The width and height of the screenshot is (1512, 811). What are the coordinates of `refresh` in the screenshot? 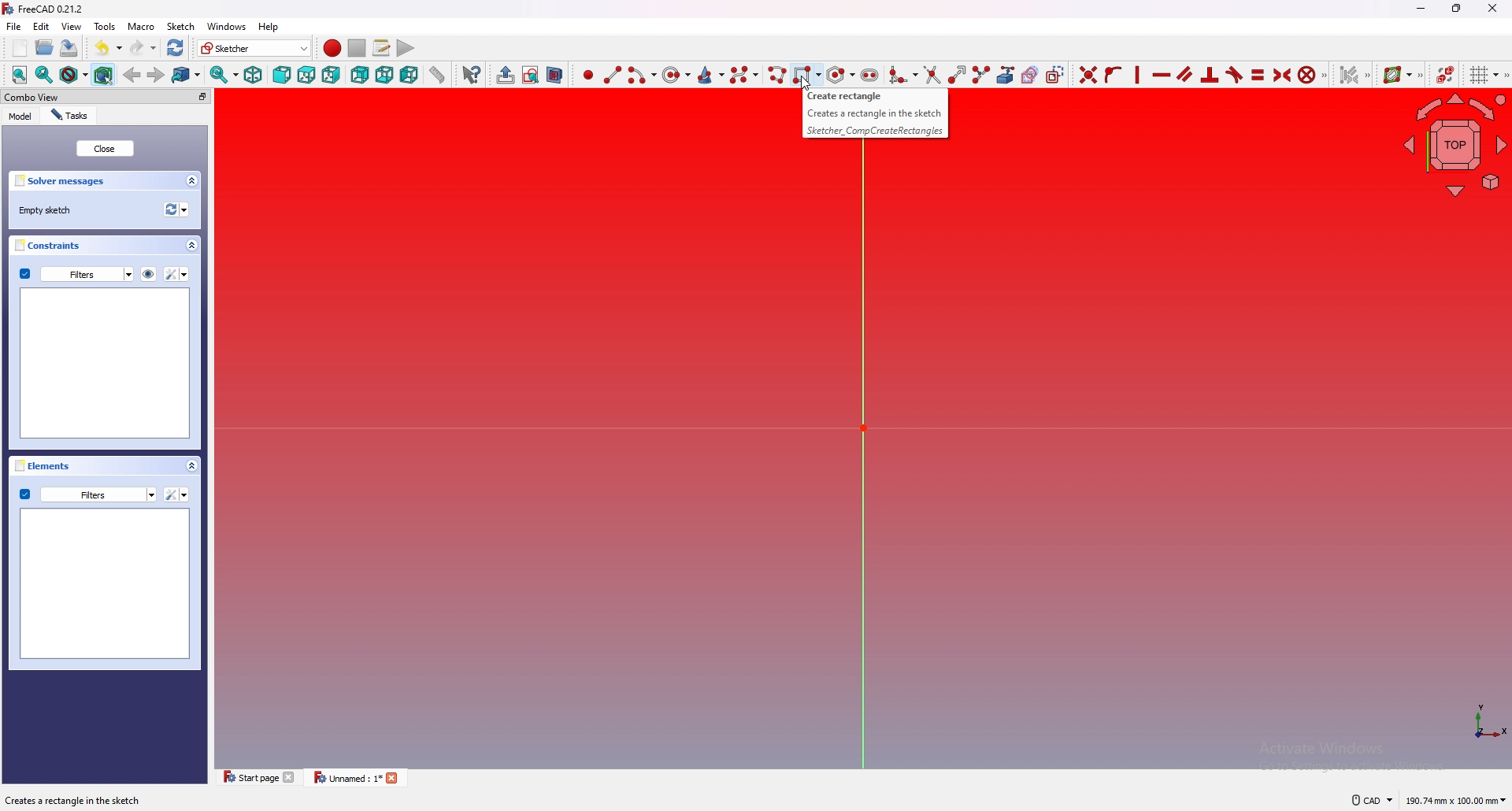 It's located at (176, 48).